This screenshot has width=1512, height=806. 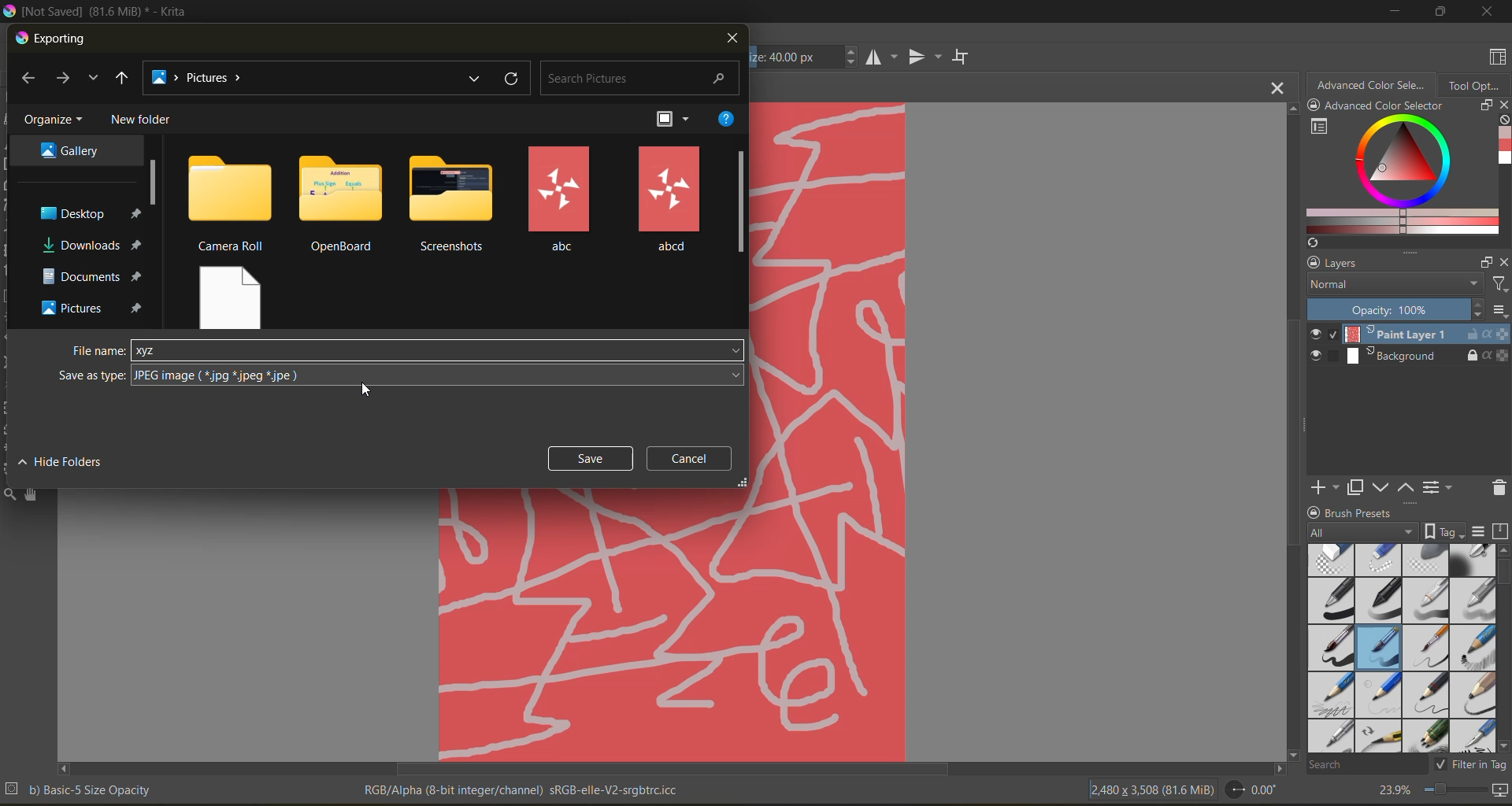 I want to click on opacity, so click(x=1408, y=310).